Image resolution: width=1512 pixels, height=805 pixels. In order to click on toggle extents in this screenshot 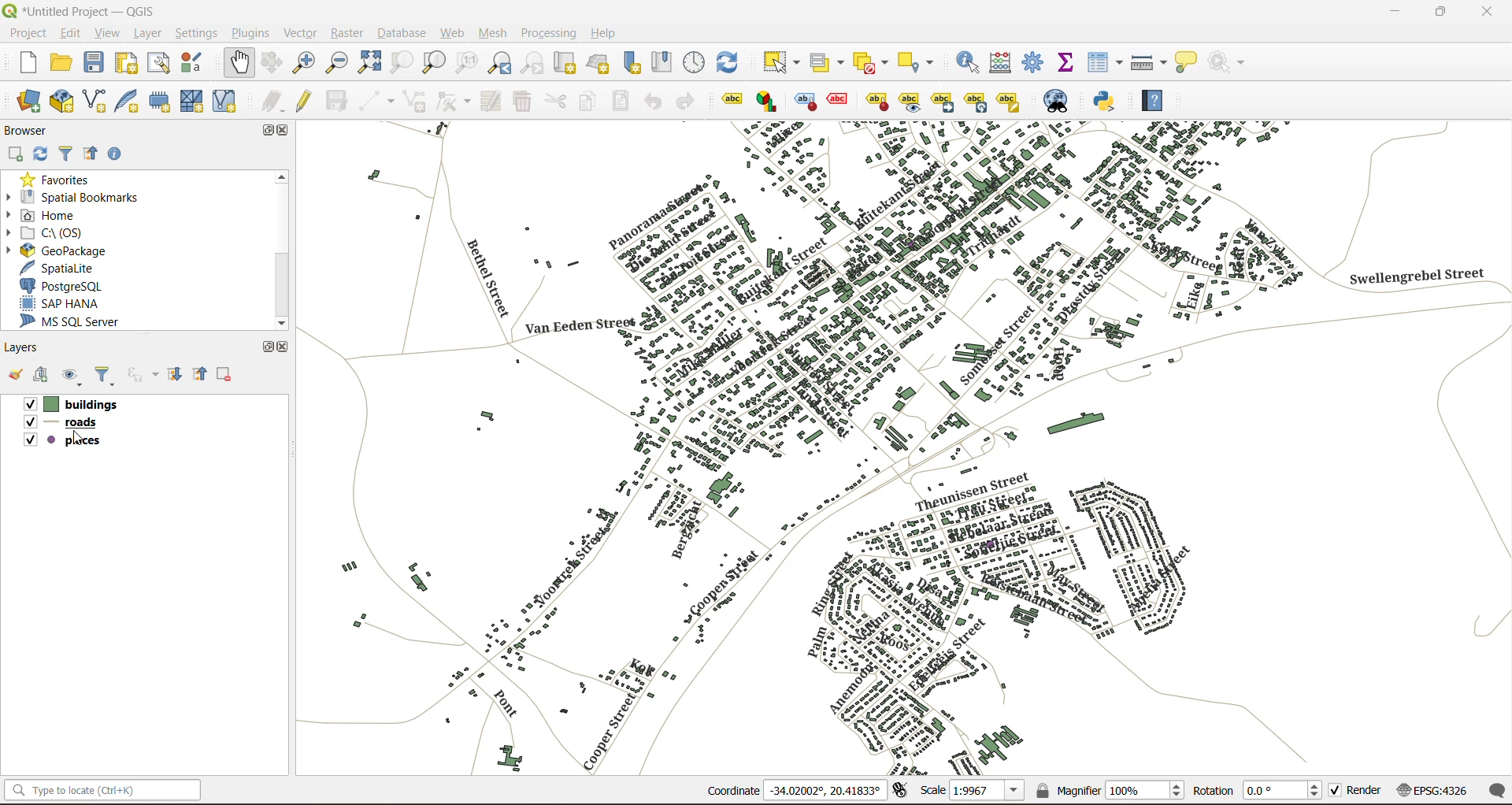, I will do `click(900, 788)`.